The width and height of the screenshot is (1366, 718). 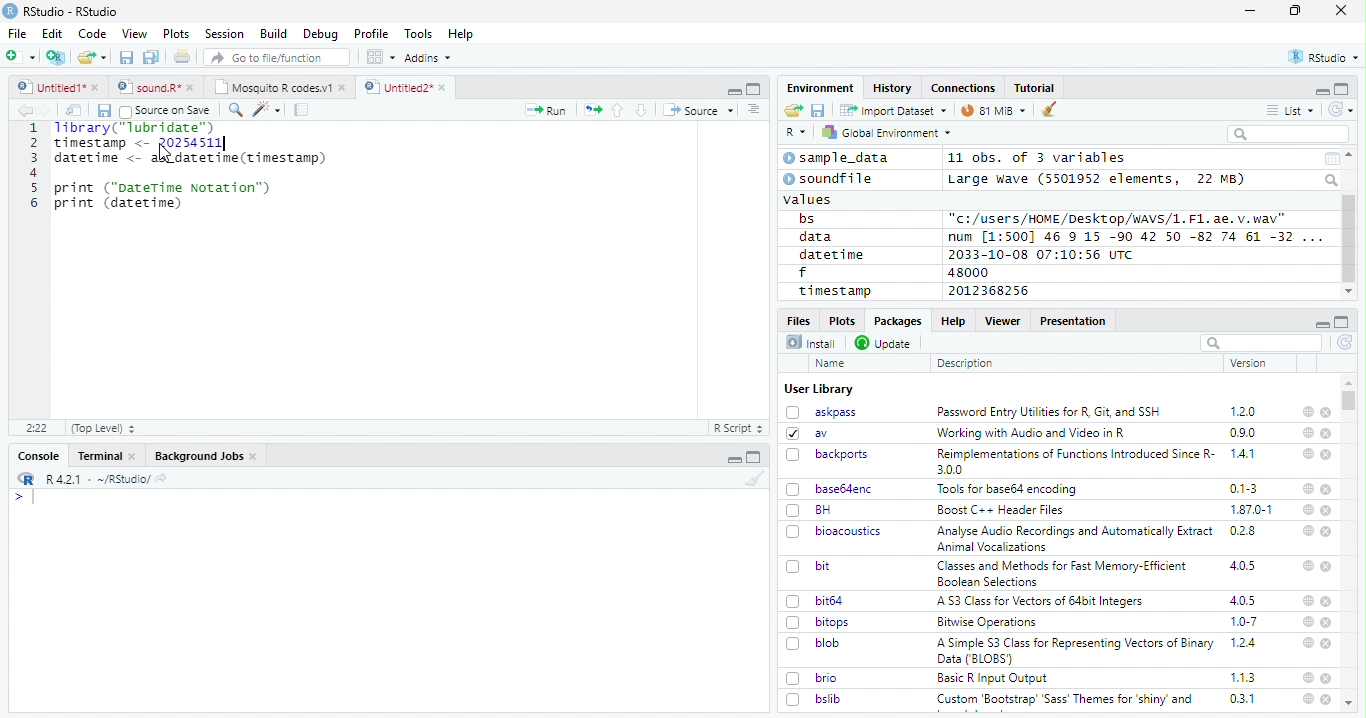 What do you see at coordinates (819, 111) in the screenshot?
I see `Save` at bounding box center [819, 111].